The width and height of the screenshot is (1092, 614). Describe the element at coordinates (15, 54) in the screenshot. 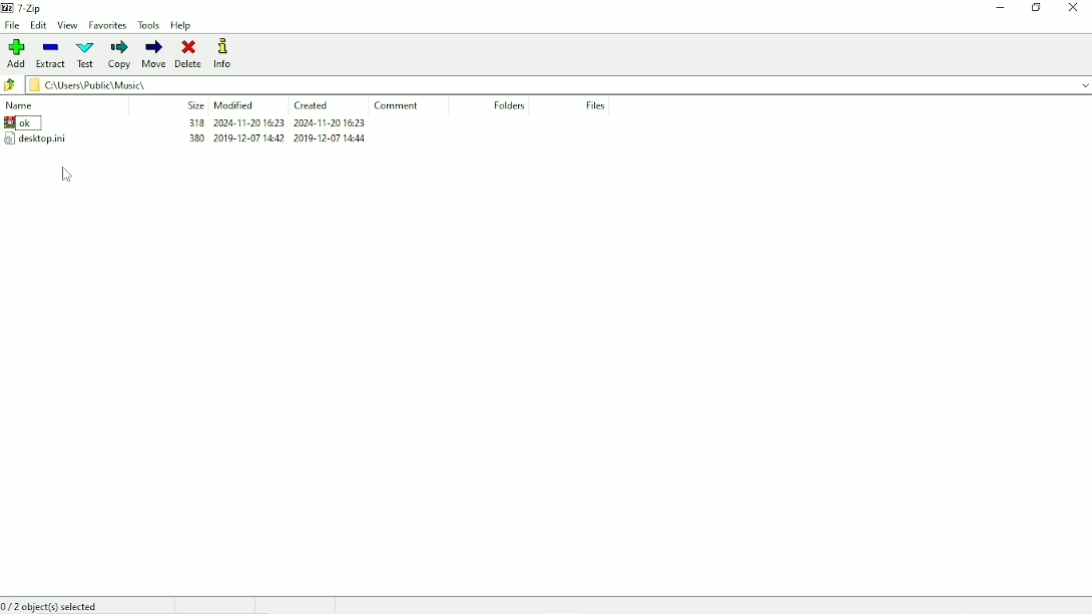

I see `Add` at that location.